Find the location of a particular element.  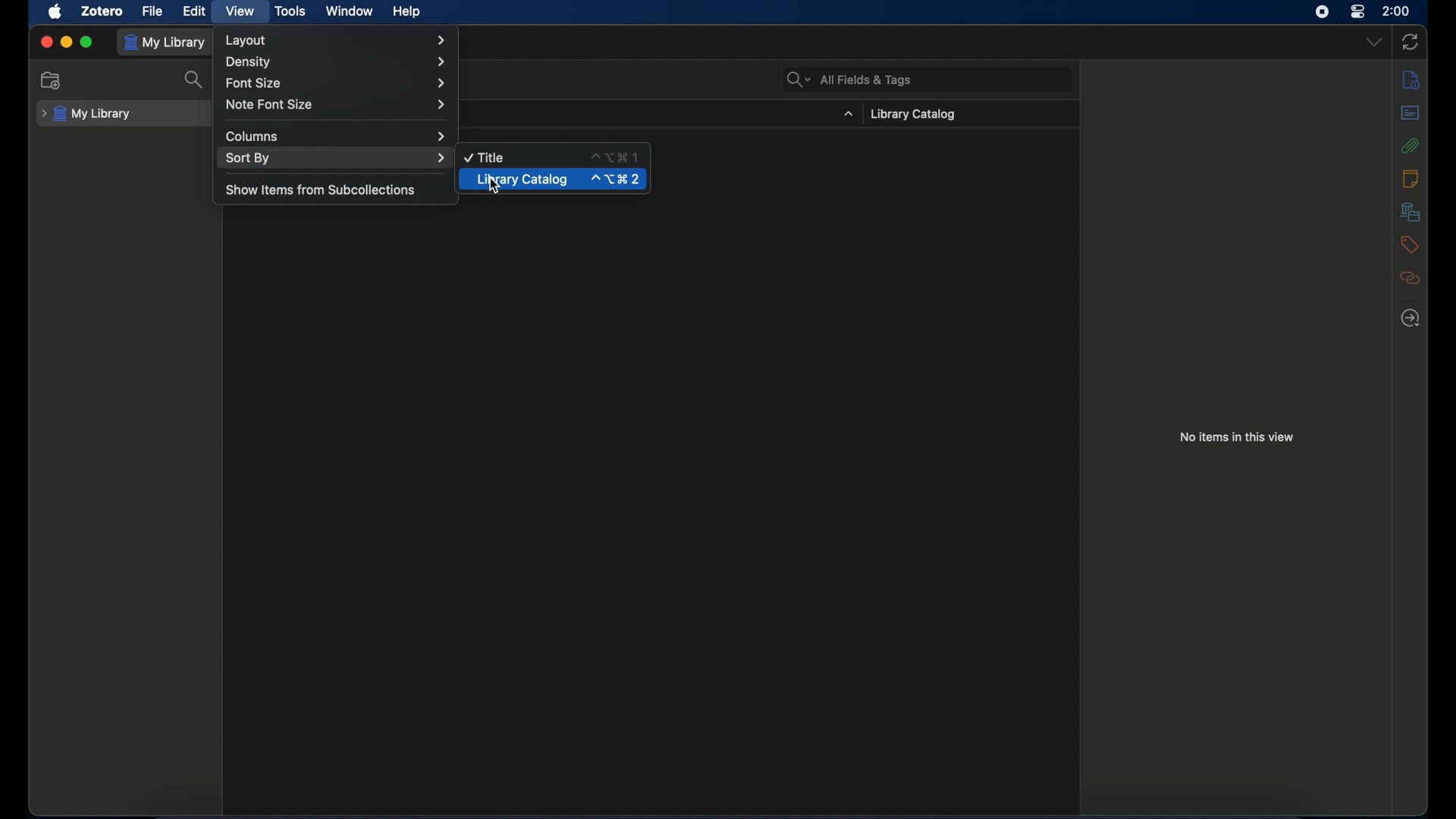

title is located at coordinates (485, 158).